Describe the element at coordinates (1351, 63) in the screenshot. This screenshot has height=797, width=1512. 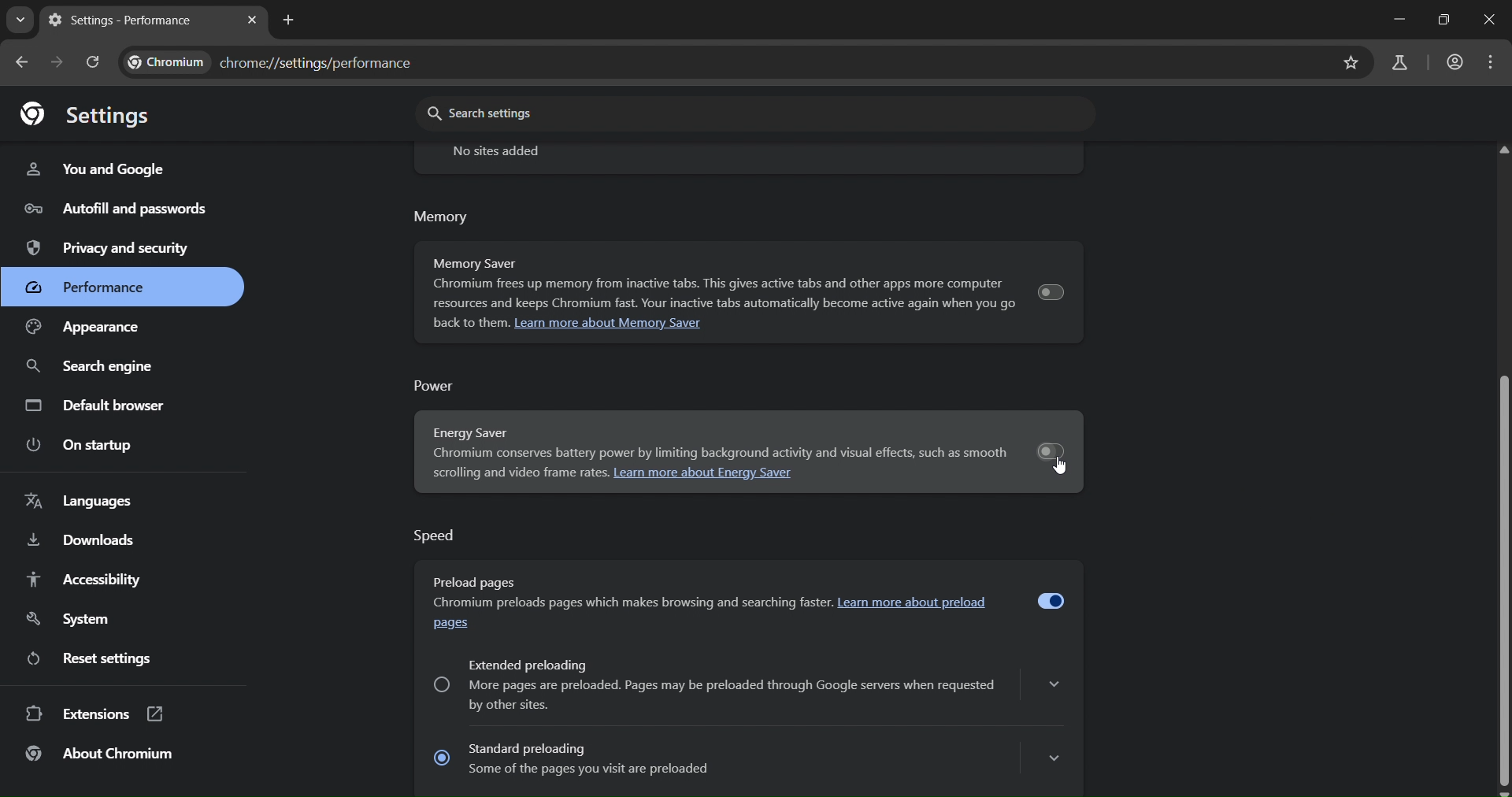
I see `bookmark` at that location.